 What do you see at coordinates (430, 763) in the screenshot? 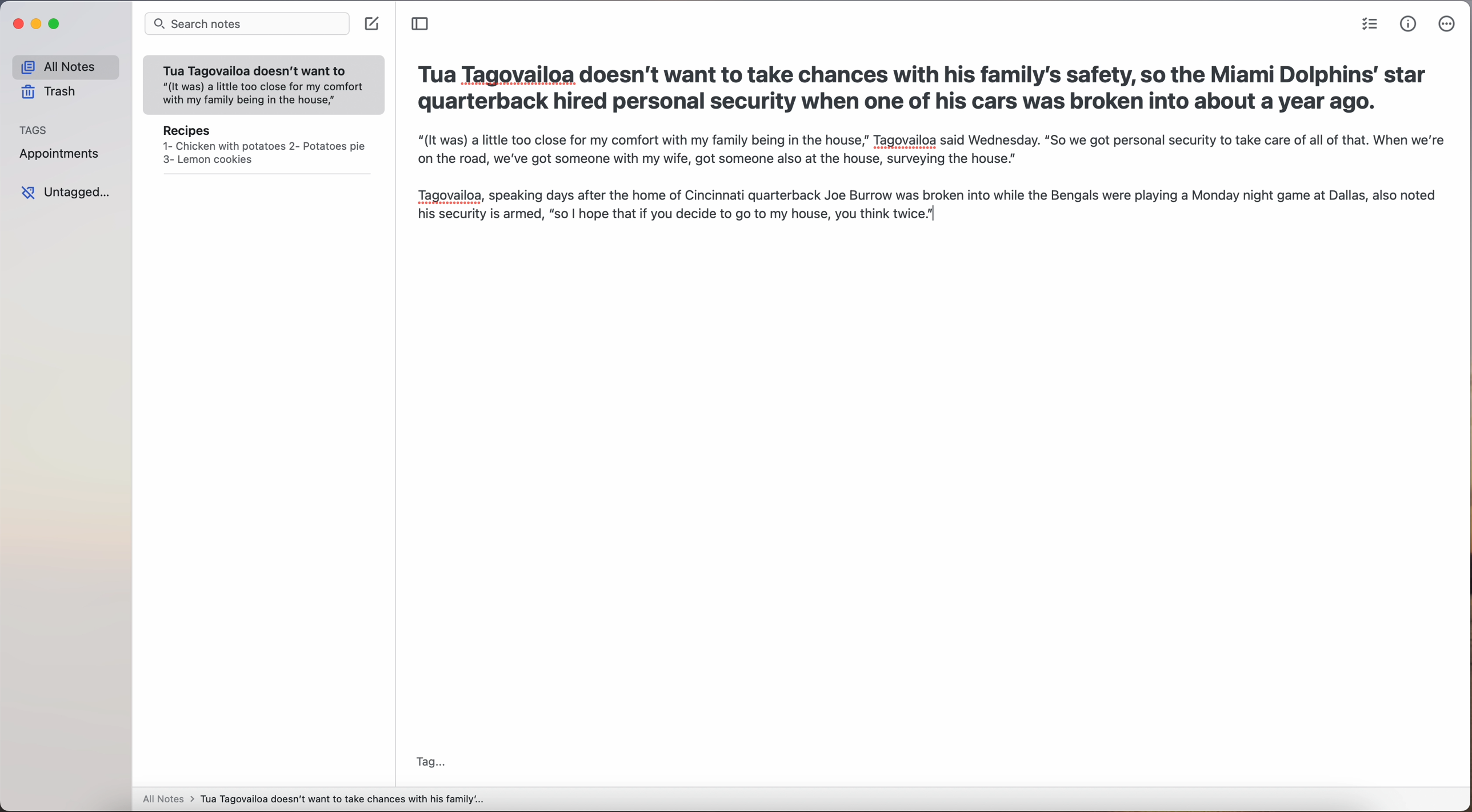
I see `tag` at bounding box center [430, 763].